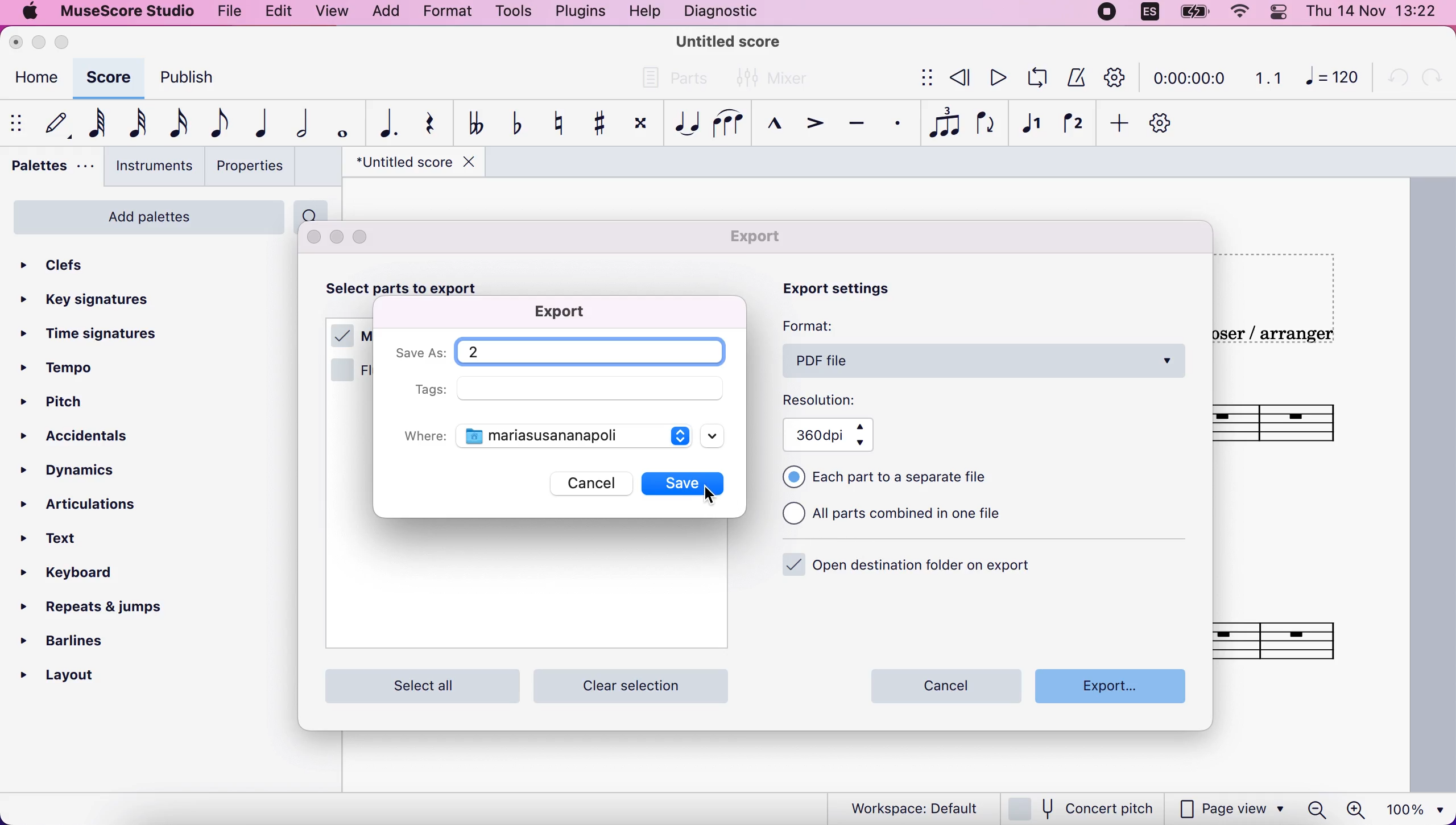  I want to click on 16th note, so click(175, 125).